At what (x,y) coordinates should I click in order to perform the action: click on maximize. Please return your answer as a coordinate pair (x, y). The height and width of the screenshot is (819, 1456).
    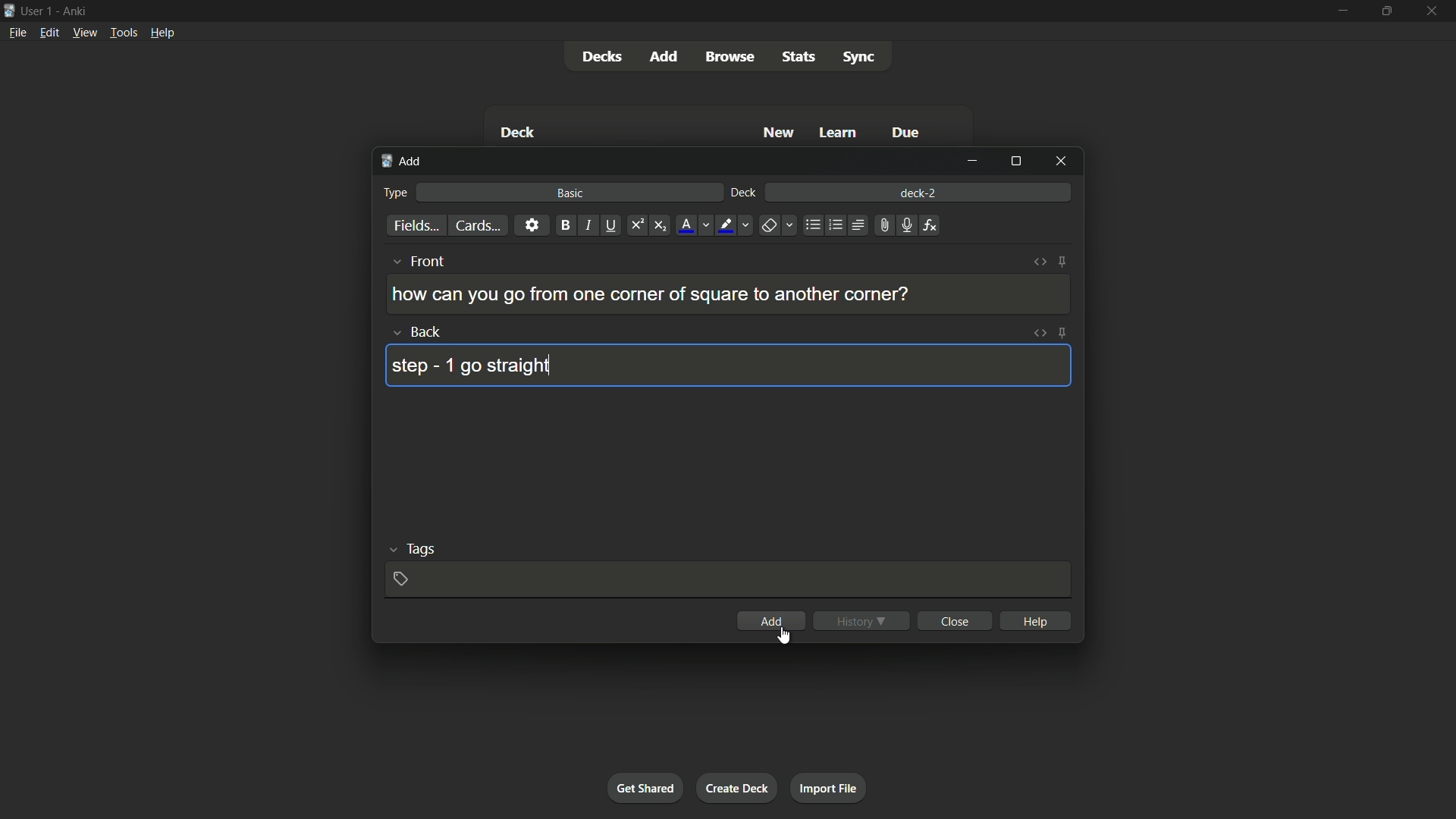
    Looking at the image, I should click on (1385, 11).